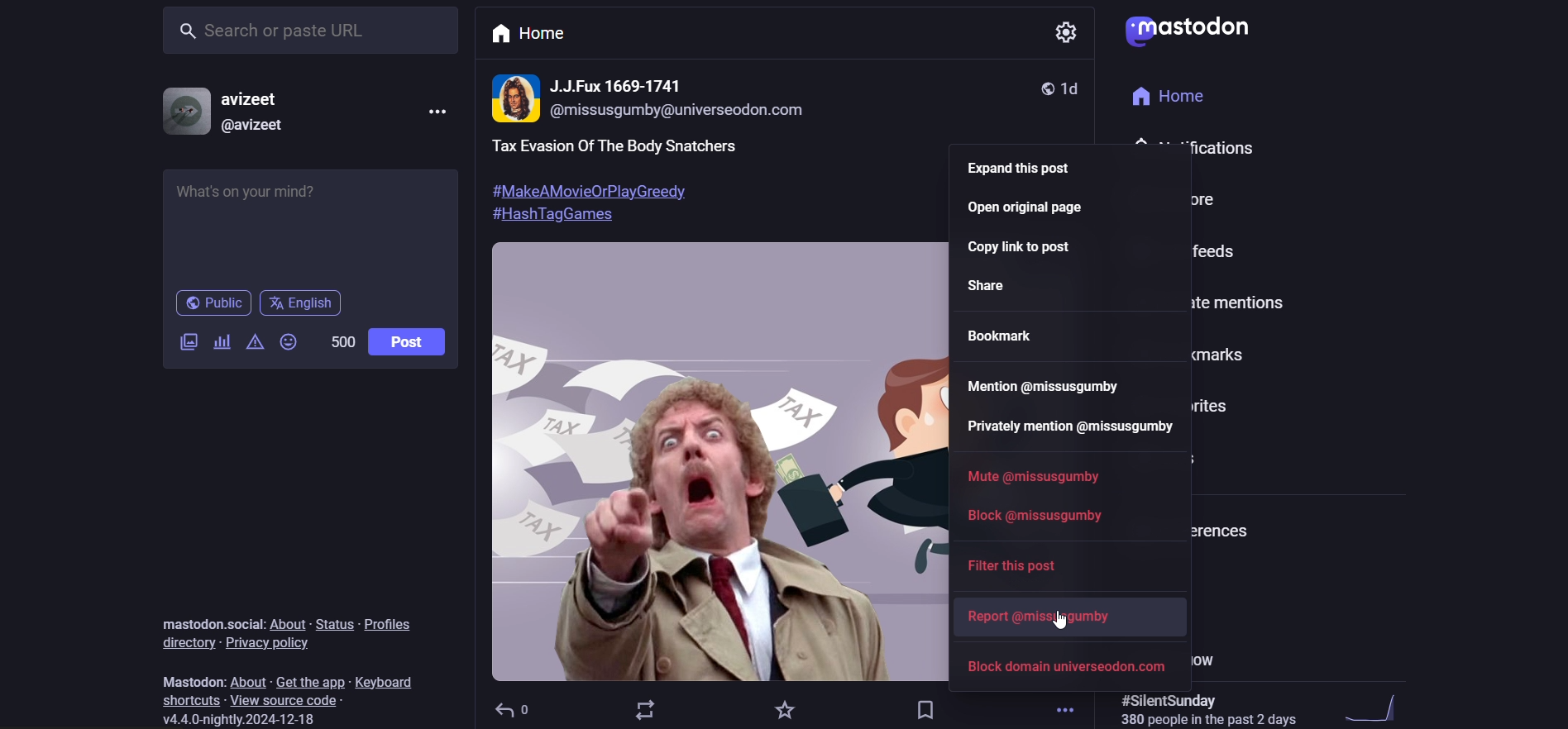 The width and height of the screenshot is (1568, 729). I want to click on profiles, so click(387, 622).